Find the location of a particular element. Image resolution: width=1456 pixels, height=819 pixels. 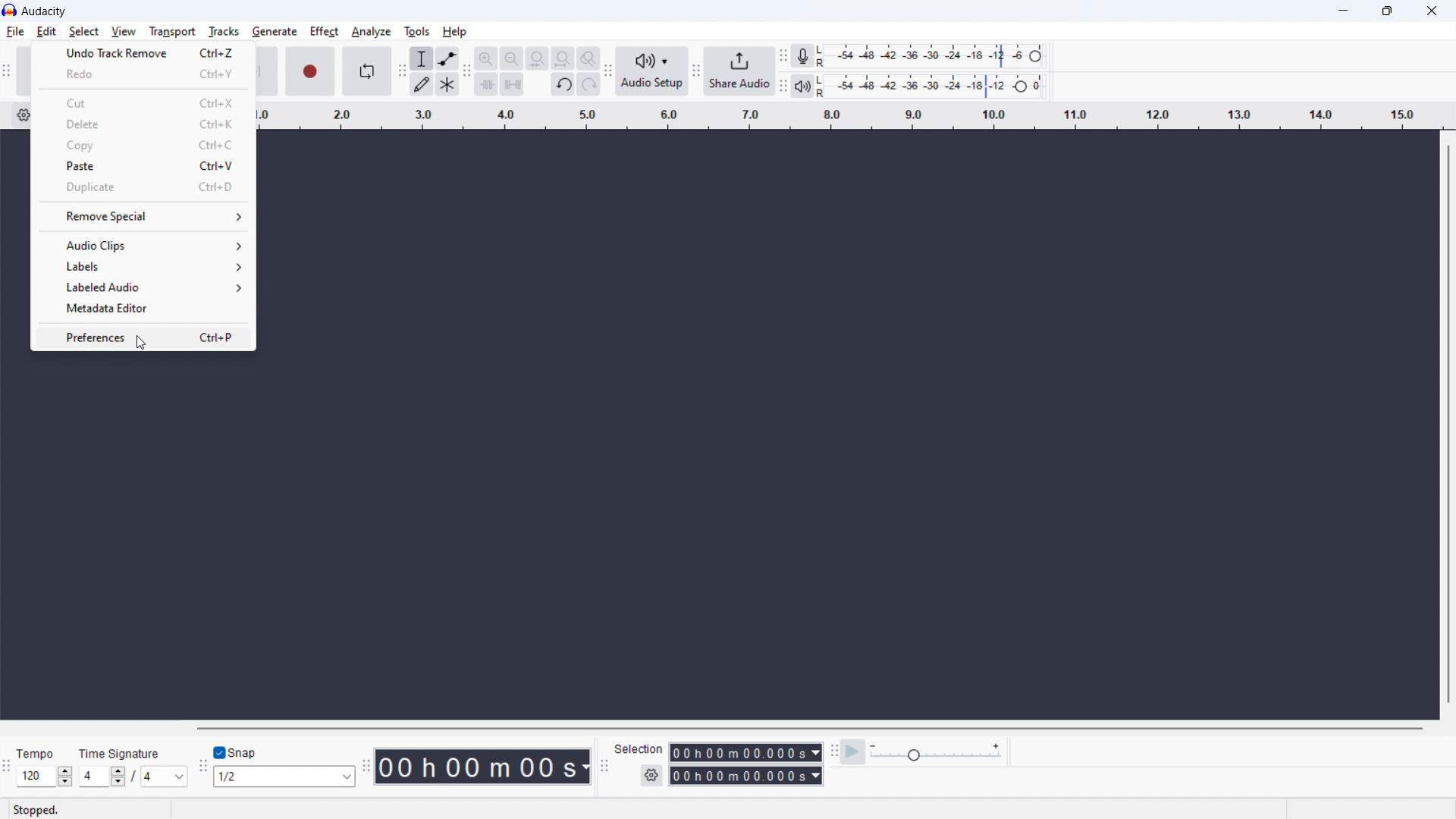

end time duration is located at coordinates (736, 776).